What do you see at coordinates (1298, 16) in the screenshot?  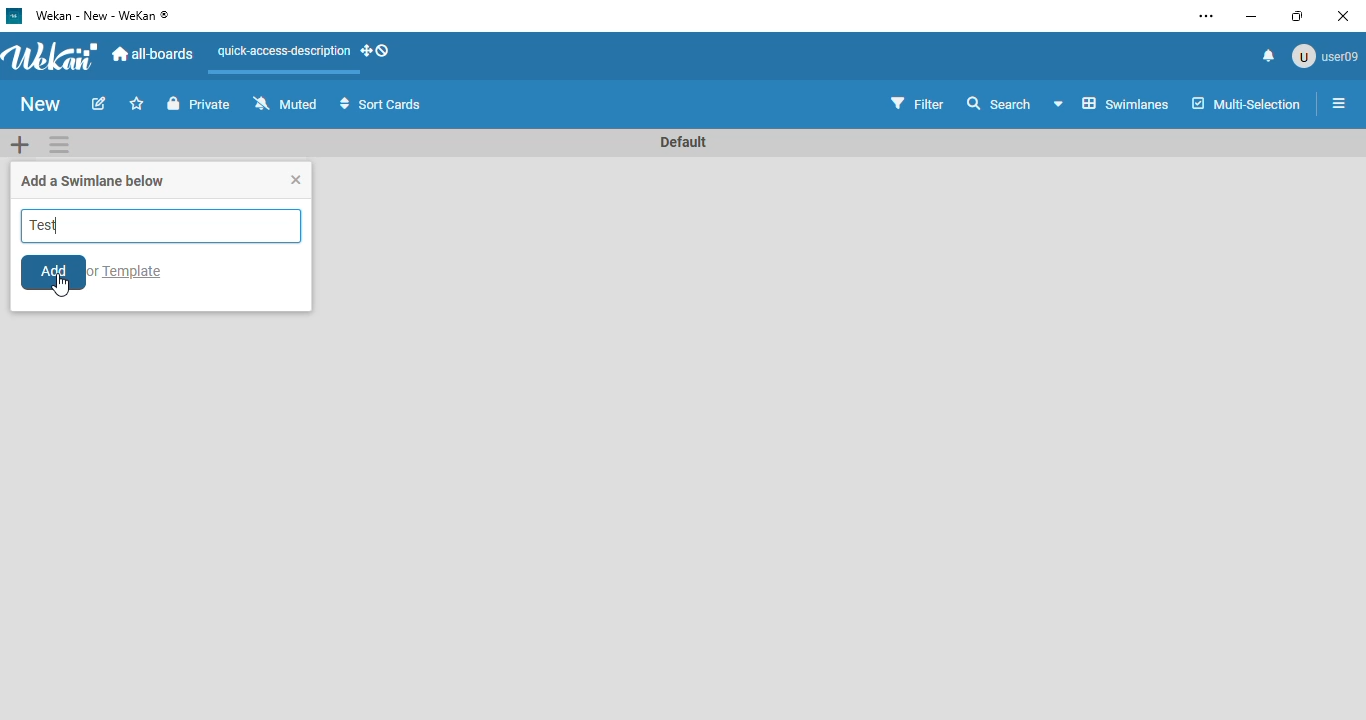 I see `maximize` at bounding box center [1298, 16].